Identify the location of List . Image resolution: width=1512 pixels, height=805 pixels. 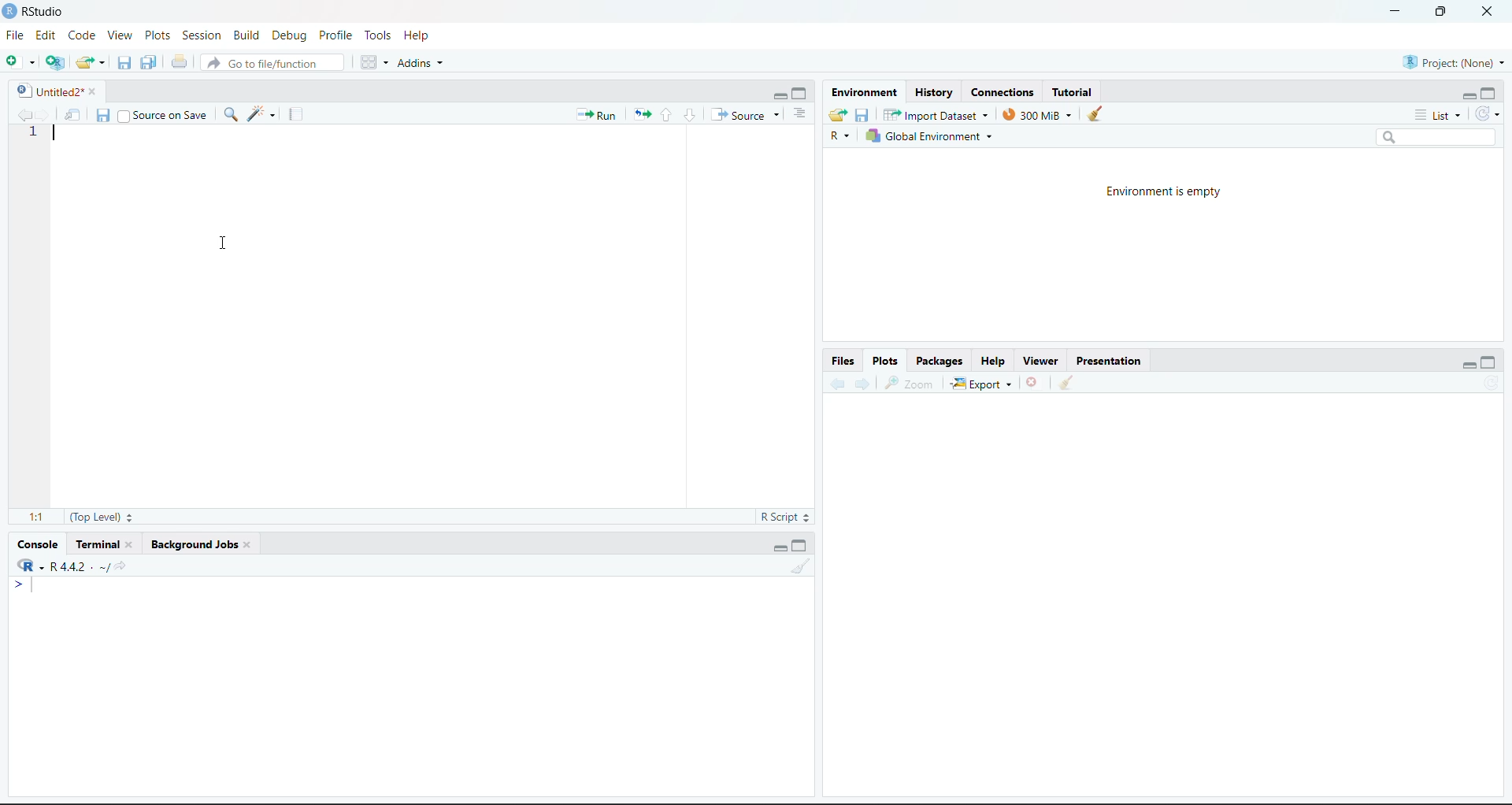
(1439, 116).